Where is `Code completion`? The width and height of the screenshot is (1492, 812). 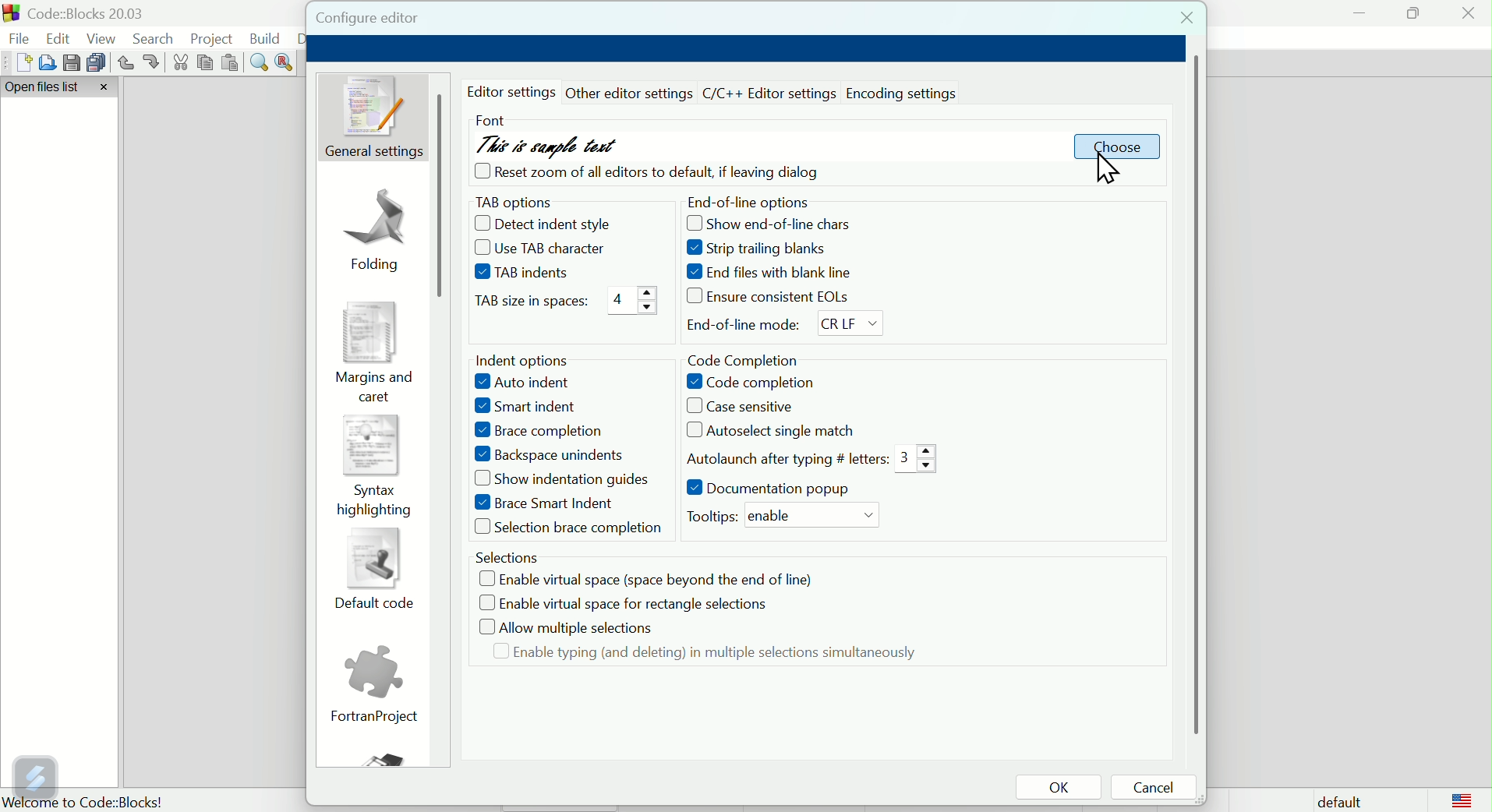
Code completion is located at coordinates (752, 381).